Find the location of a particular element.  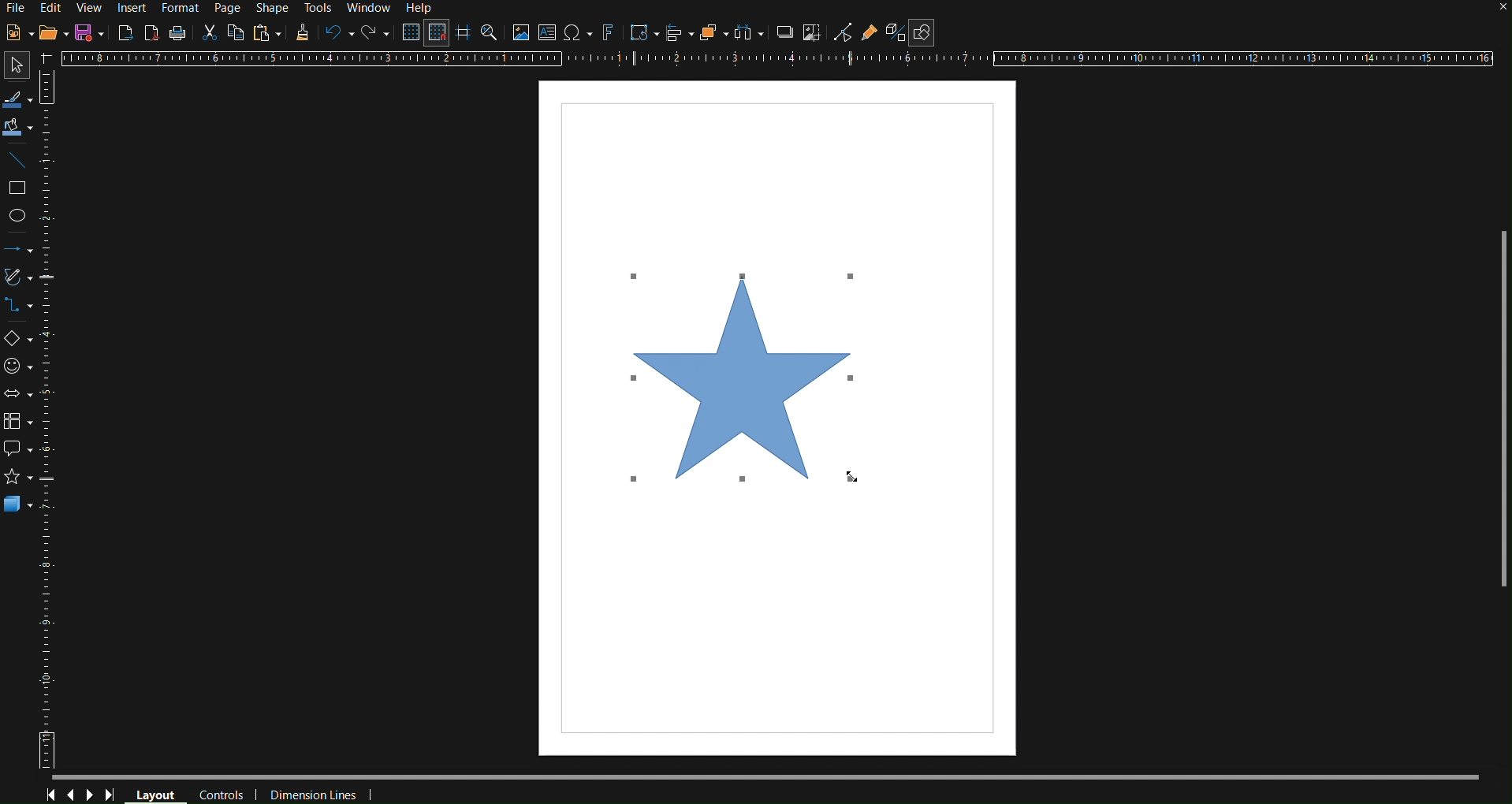

Edit is located at coordinates (54, 9).